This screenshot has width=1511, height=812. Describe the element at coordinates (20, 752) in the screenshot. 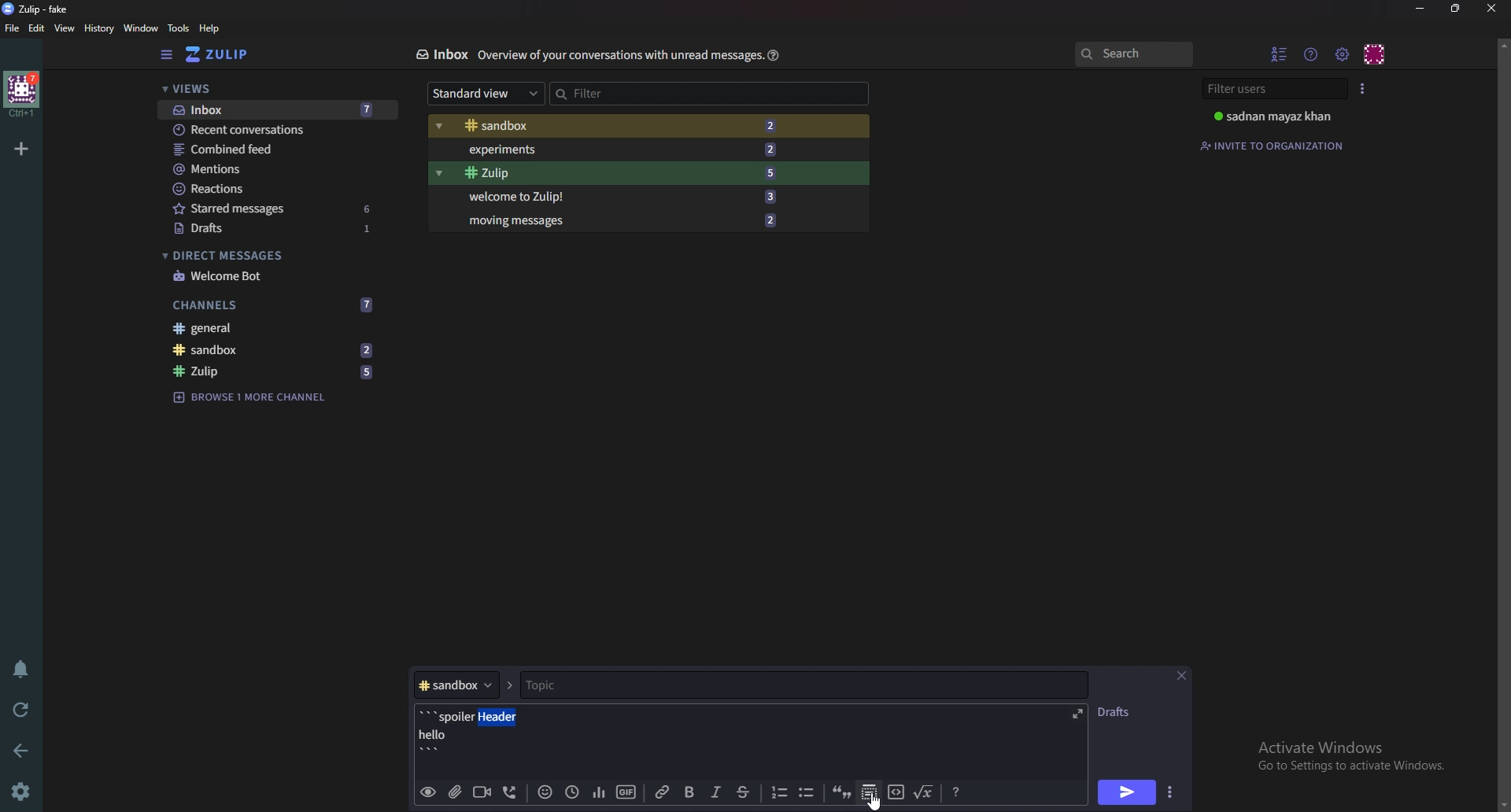

I see `back` at that location.